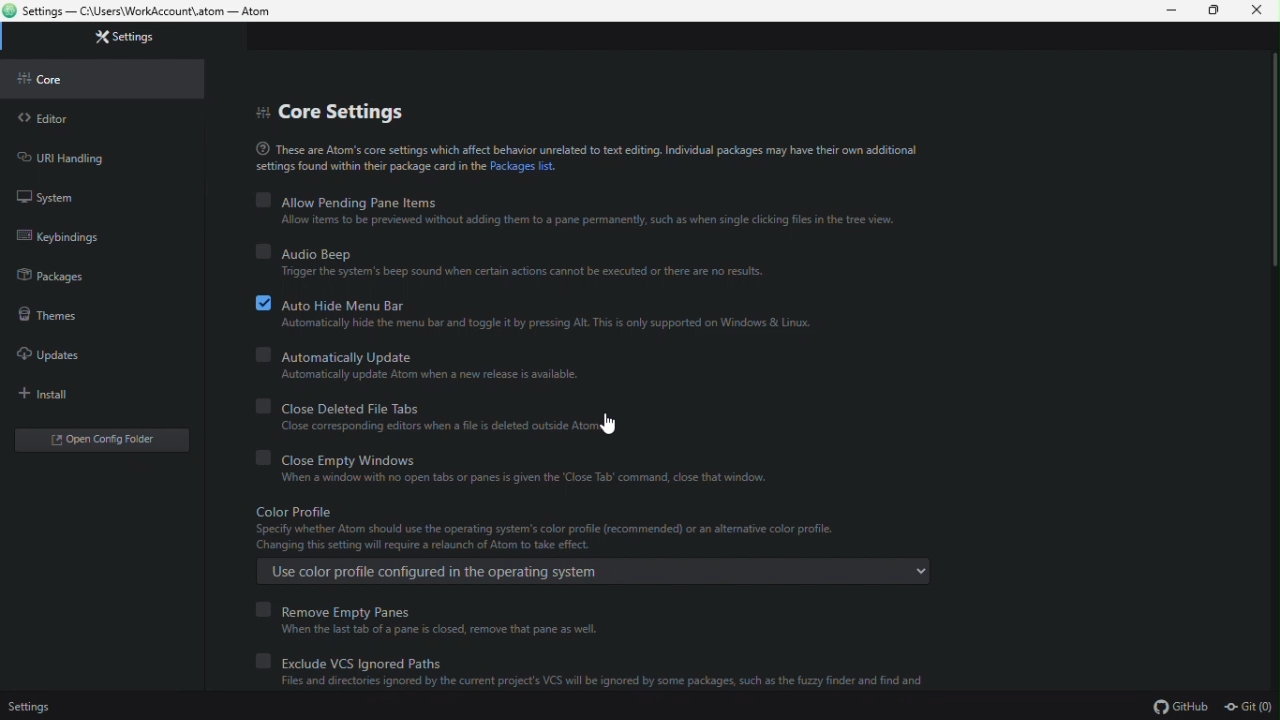 The height and width of the screenshot is (720, 1280). I want to click on key bindings, so click(62, 235).